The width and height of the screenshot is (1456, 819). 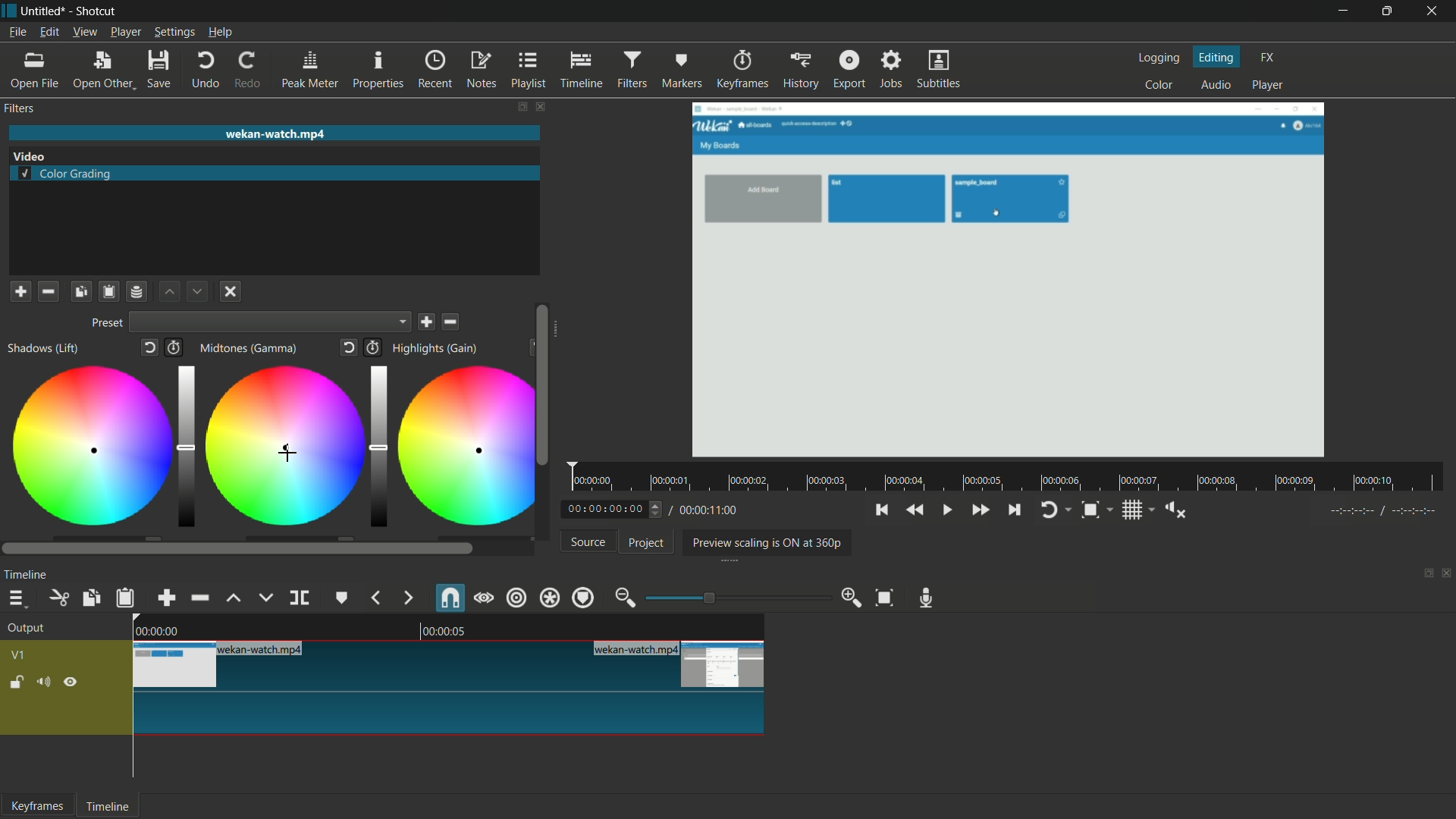 I want to click on open file, so click(x=30, y=71).